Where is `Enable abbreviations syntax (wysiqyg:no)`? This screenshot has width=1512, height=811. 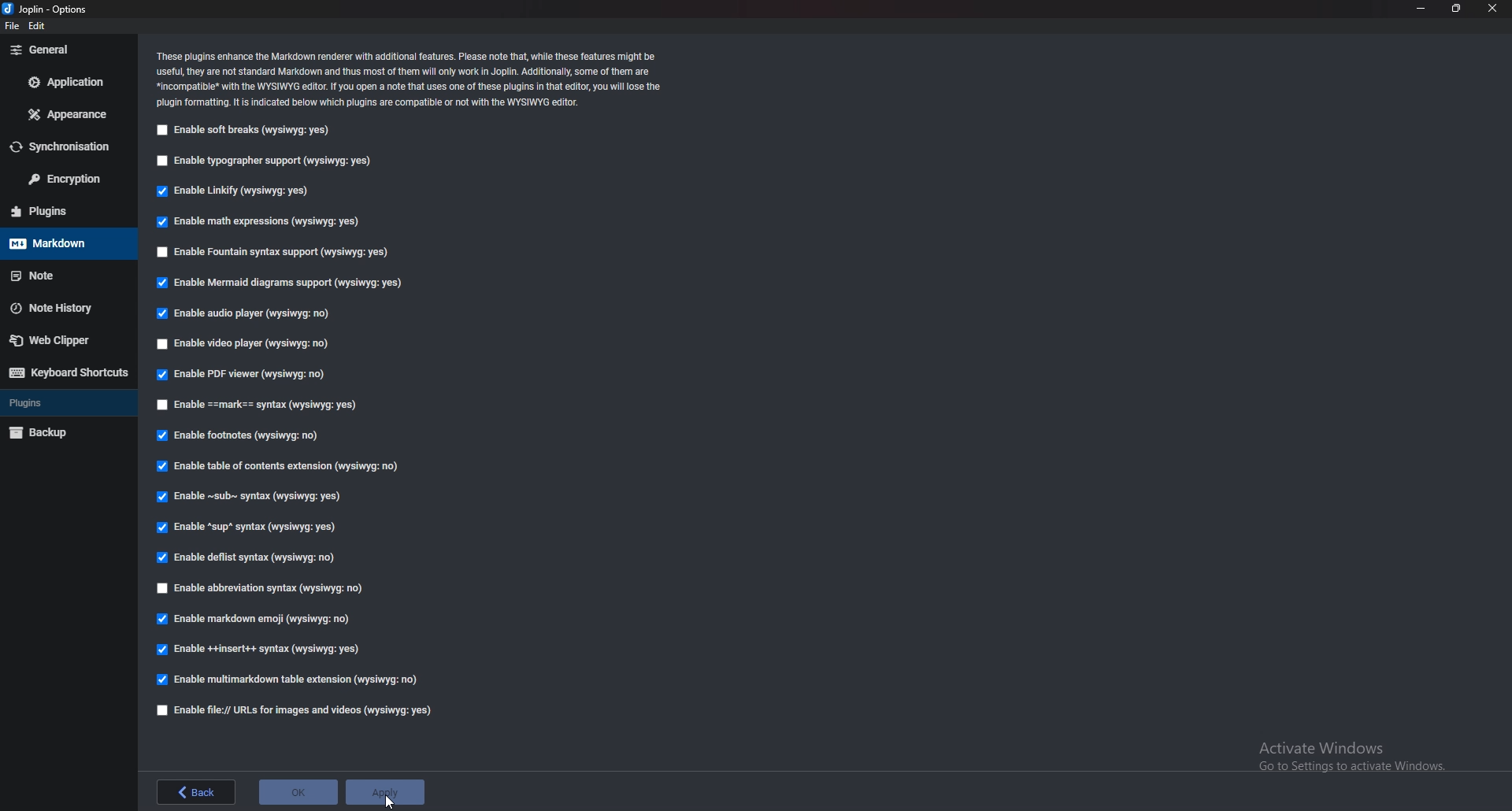 Enable abbreviations syntax (wysiqyg:no) is located at coordinates (277, 591).